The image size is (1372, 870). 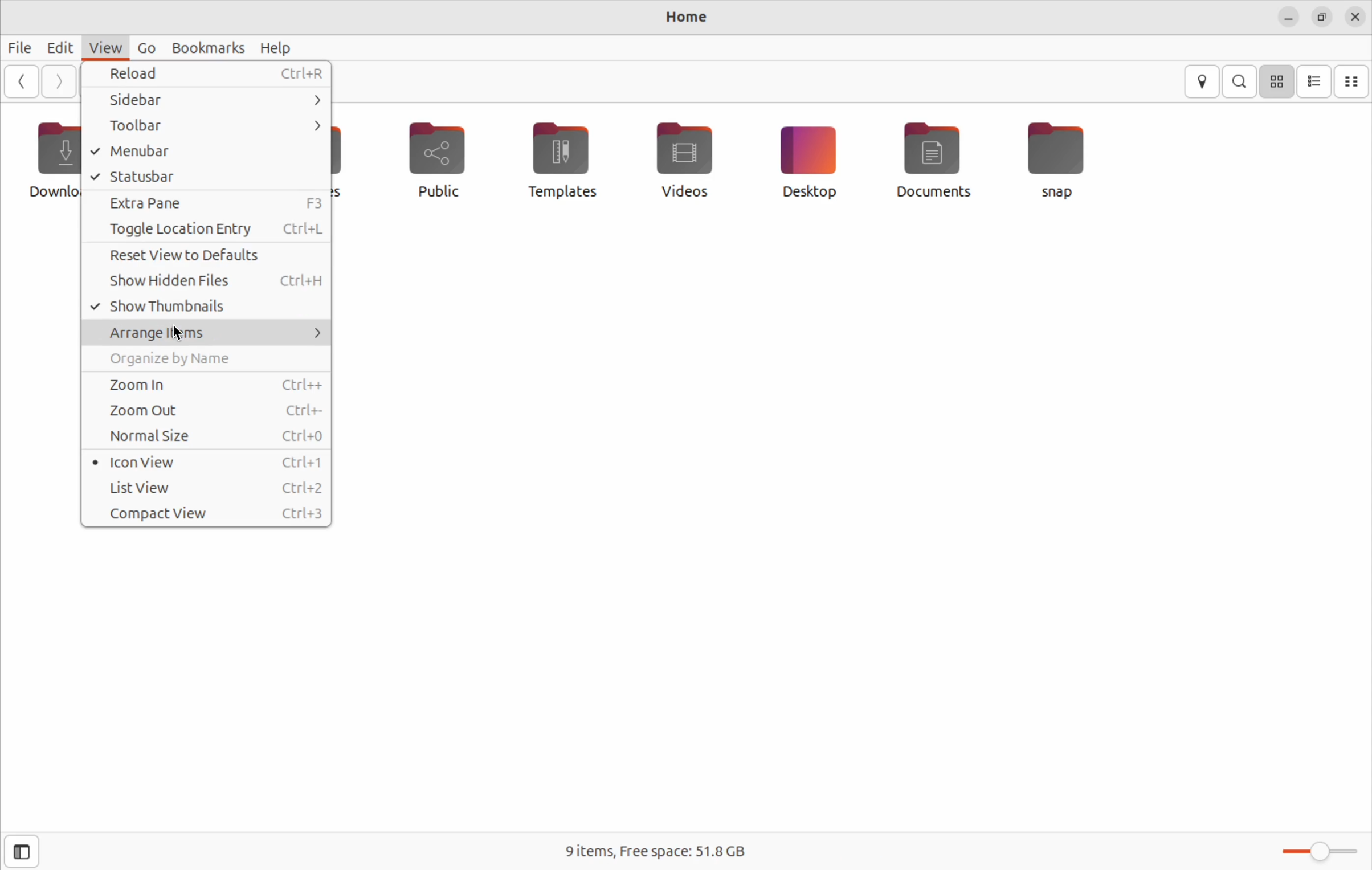 What do you see at coordinates (1204, 82) in the screenshot?
I see `location` at bounding box center [1204, 82].